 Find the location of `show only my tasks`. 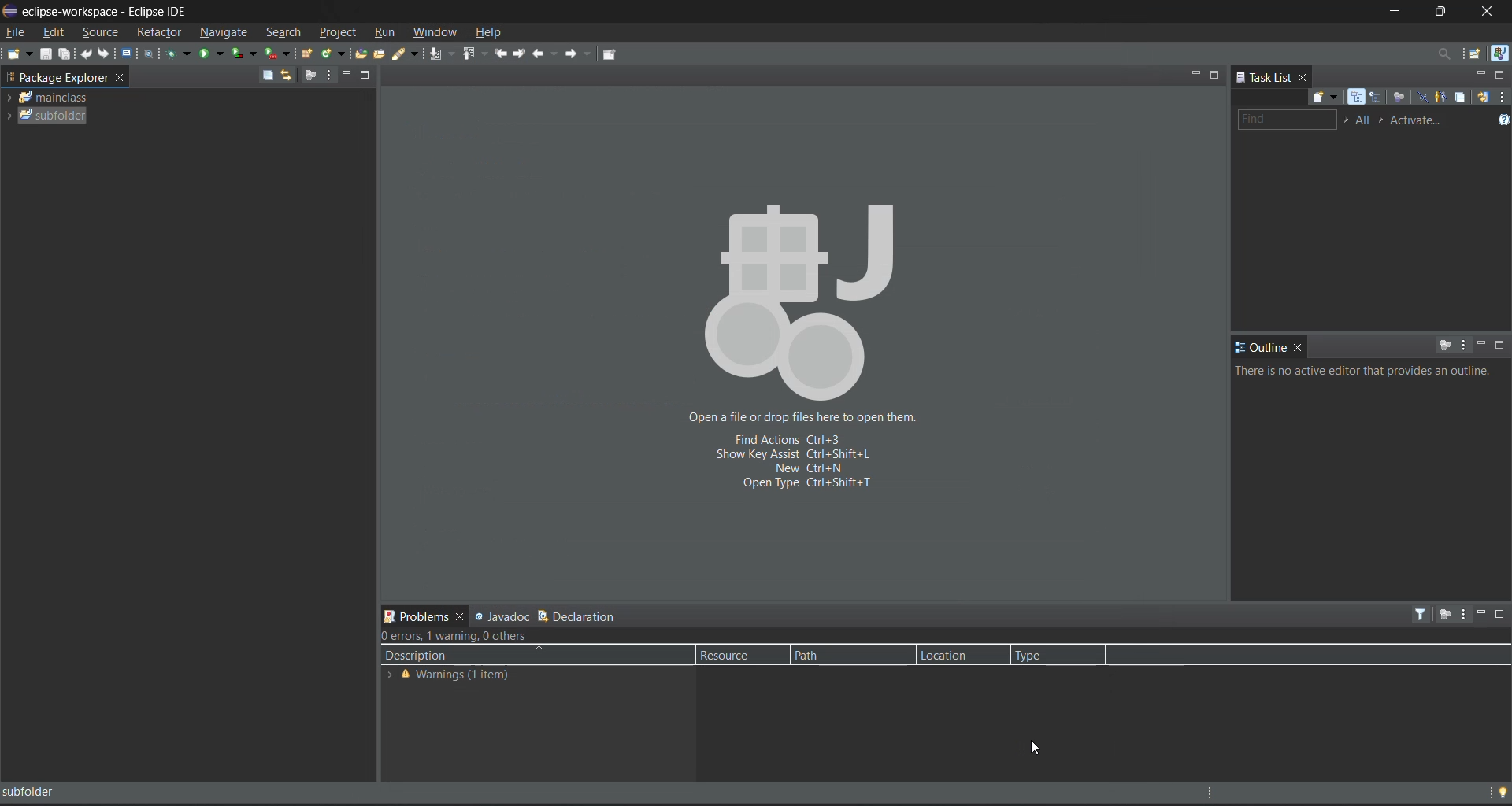

show only my tasks is located at coordinates (1443, 97).